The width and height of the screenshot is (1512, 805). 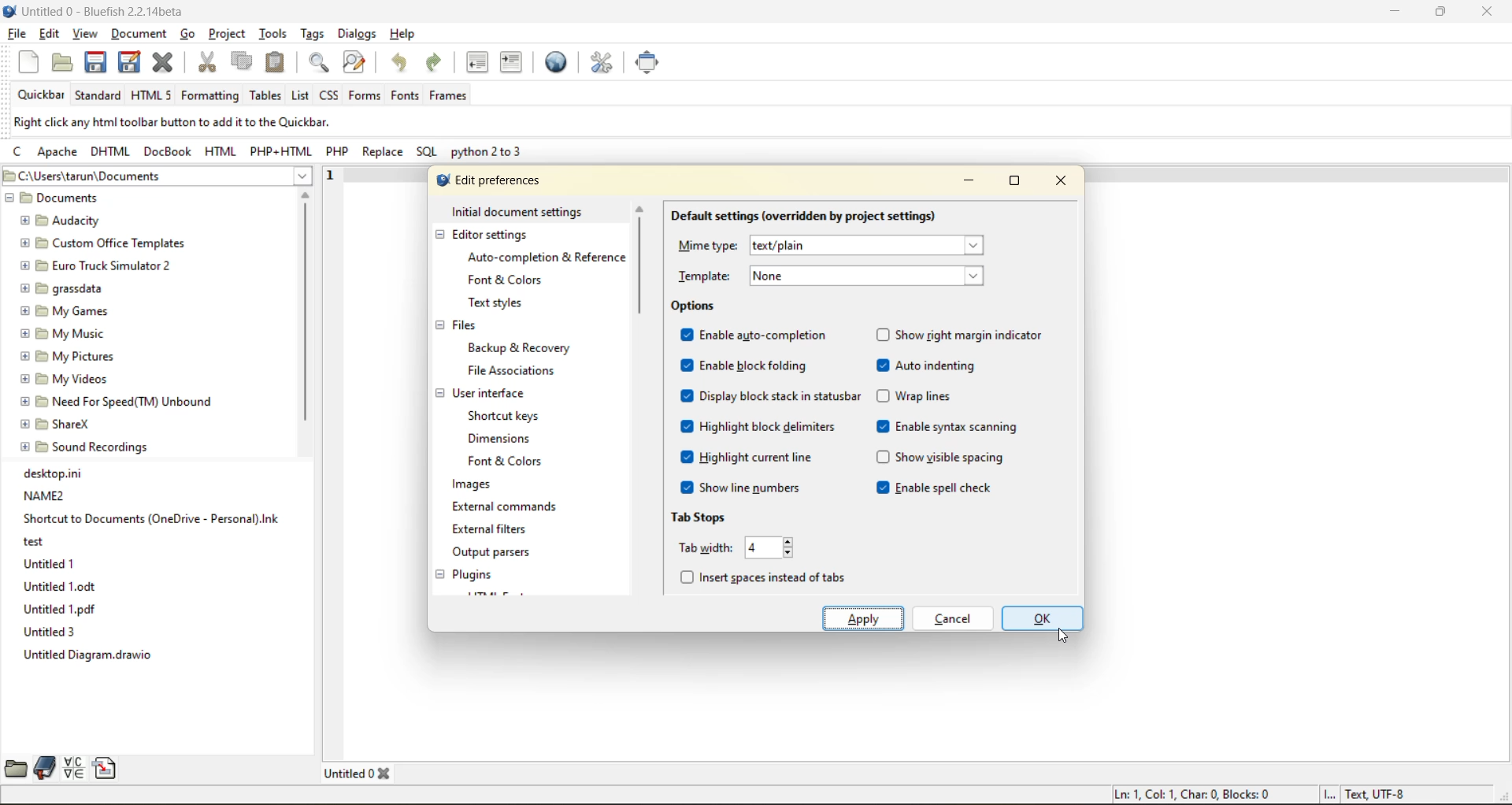 What do you see at coordinates (152, 96) in the screenshot?
I see `html 5` at bounding box center [152, 96].